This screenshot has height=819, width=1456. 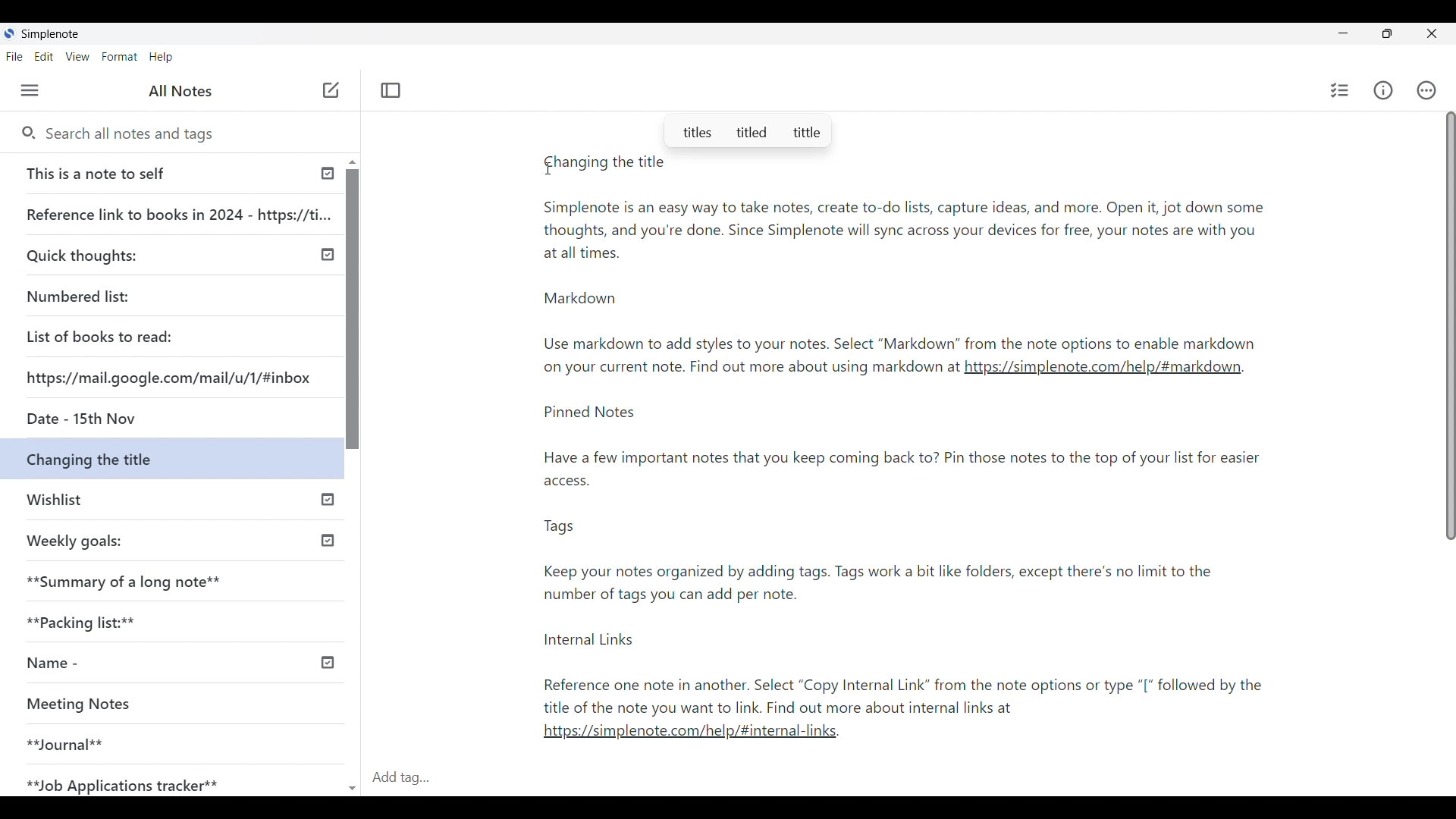 I want to click on Journal, so click(x=67, y=743).